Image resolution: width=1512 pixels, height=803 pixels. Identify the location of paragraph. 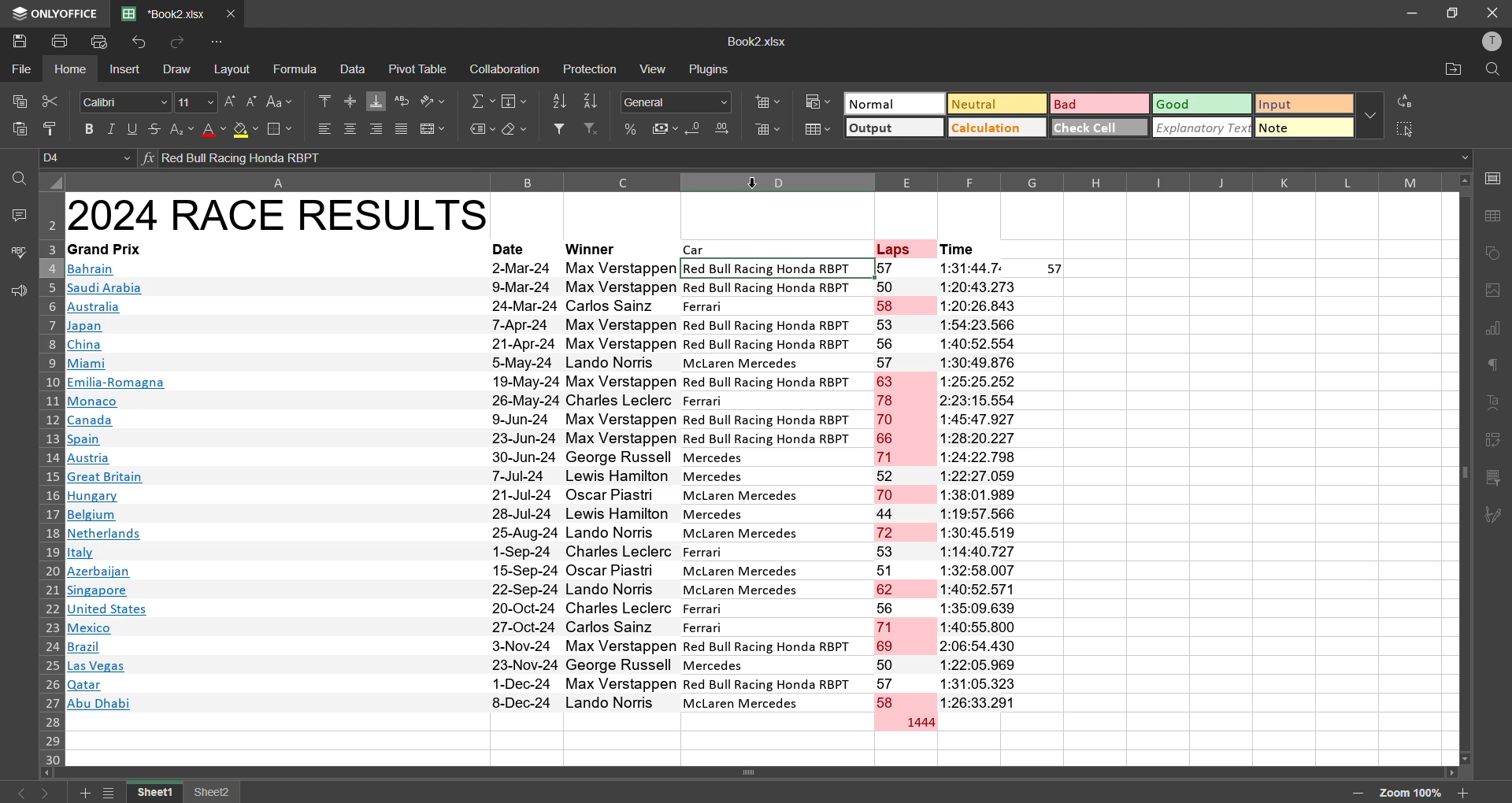
(1496, 368).